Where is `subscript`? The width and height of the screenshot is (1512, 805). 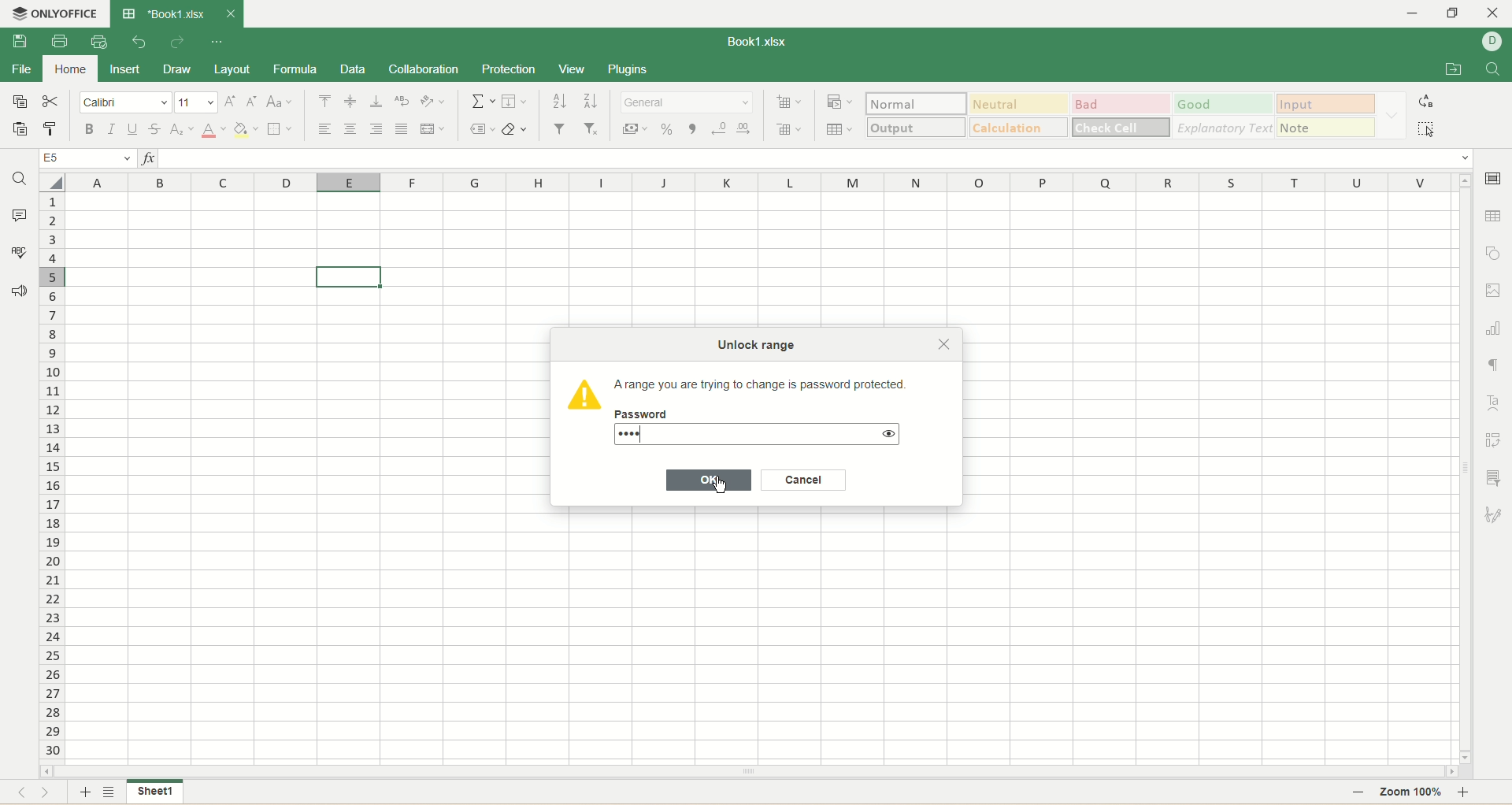 subscript is located at coordinates (184, 131).